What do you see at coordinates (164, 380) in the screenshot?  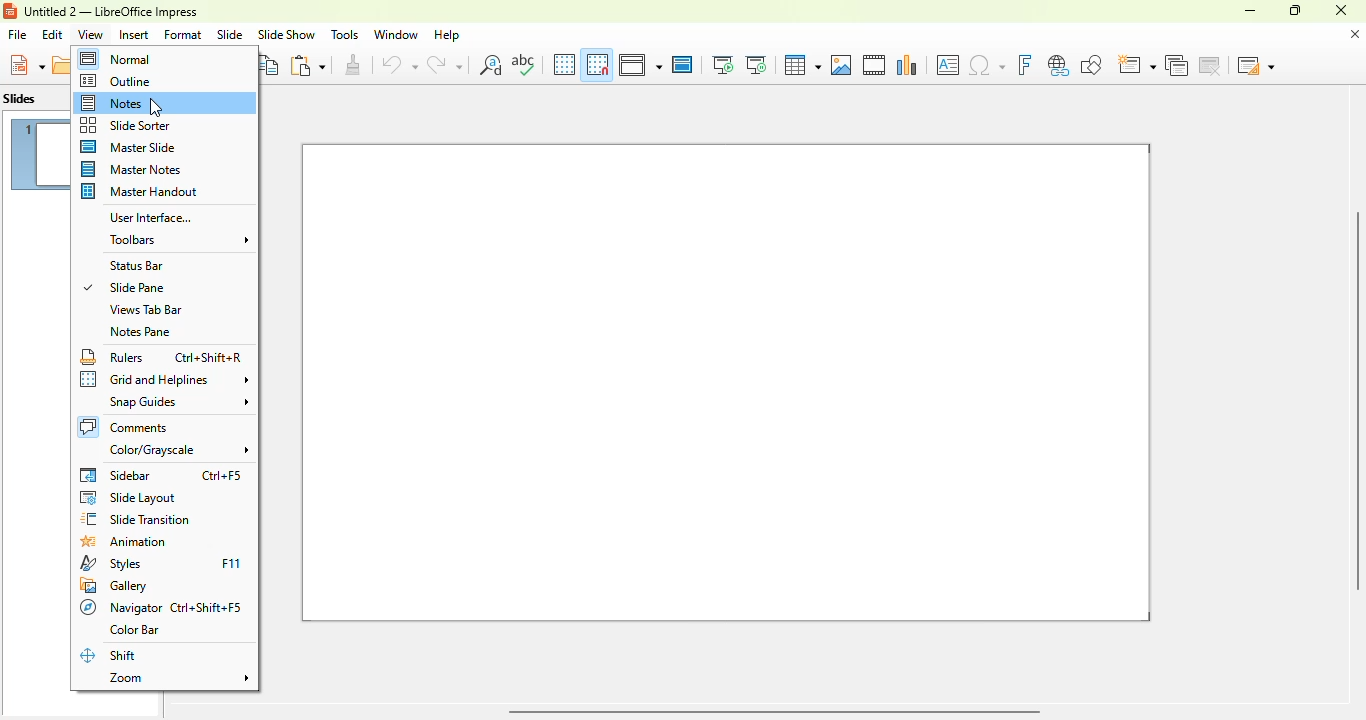 I see `grid and helplines` at bounding box center [164, 380].